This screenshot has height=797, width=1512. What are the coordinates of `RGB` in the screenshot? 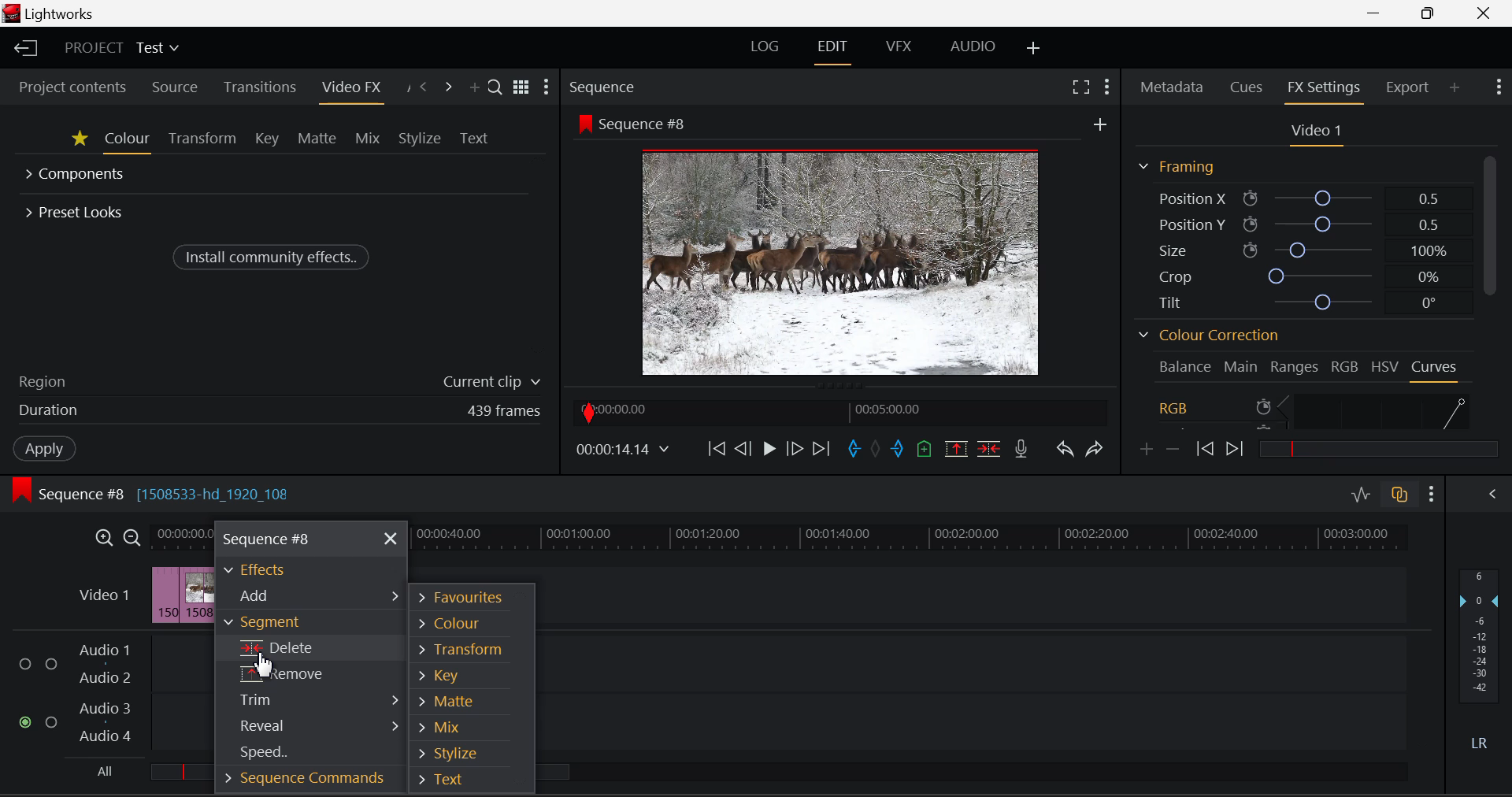 It's located at (1345, 365).